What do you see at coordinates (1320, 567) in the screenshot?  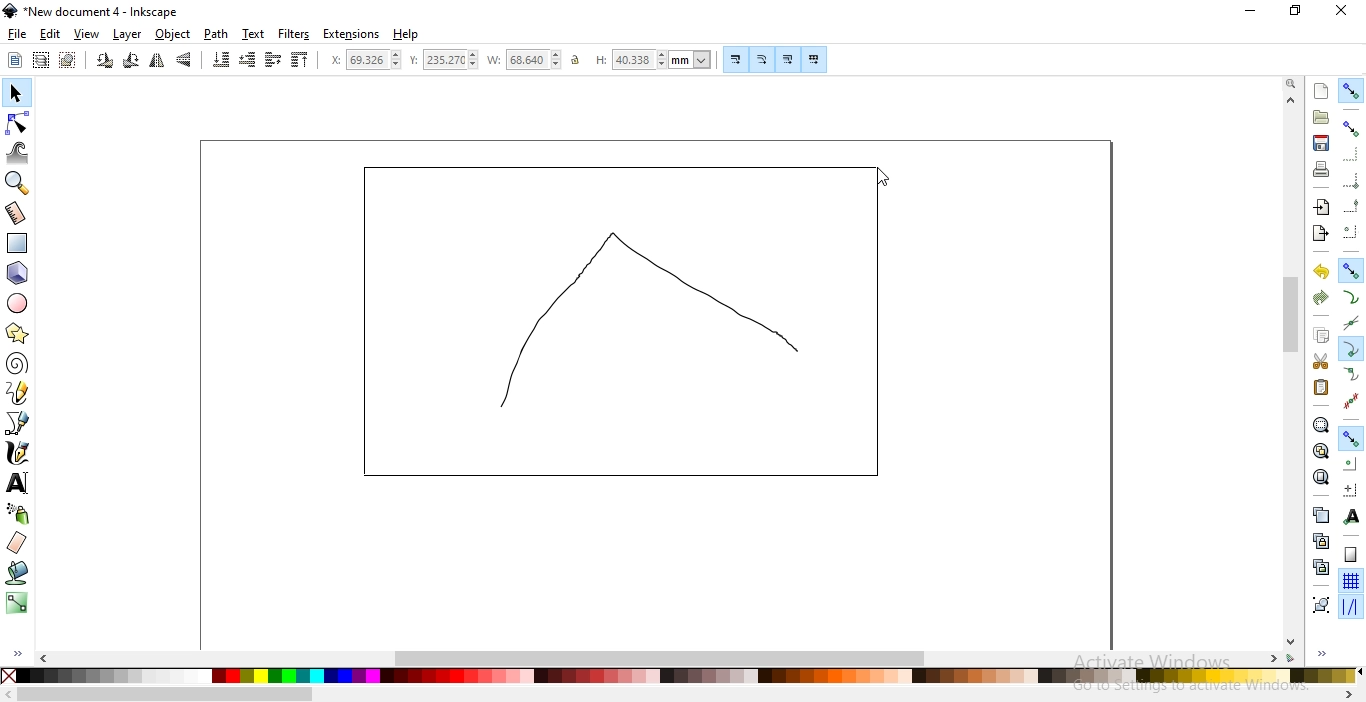 I see `cut the selected clones links to the originals` at bounding box center [1320, 567].